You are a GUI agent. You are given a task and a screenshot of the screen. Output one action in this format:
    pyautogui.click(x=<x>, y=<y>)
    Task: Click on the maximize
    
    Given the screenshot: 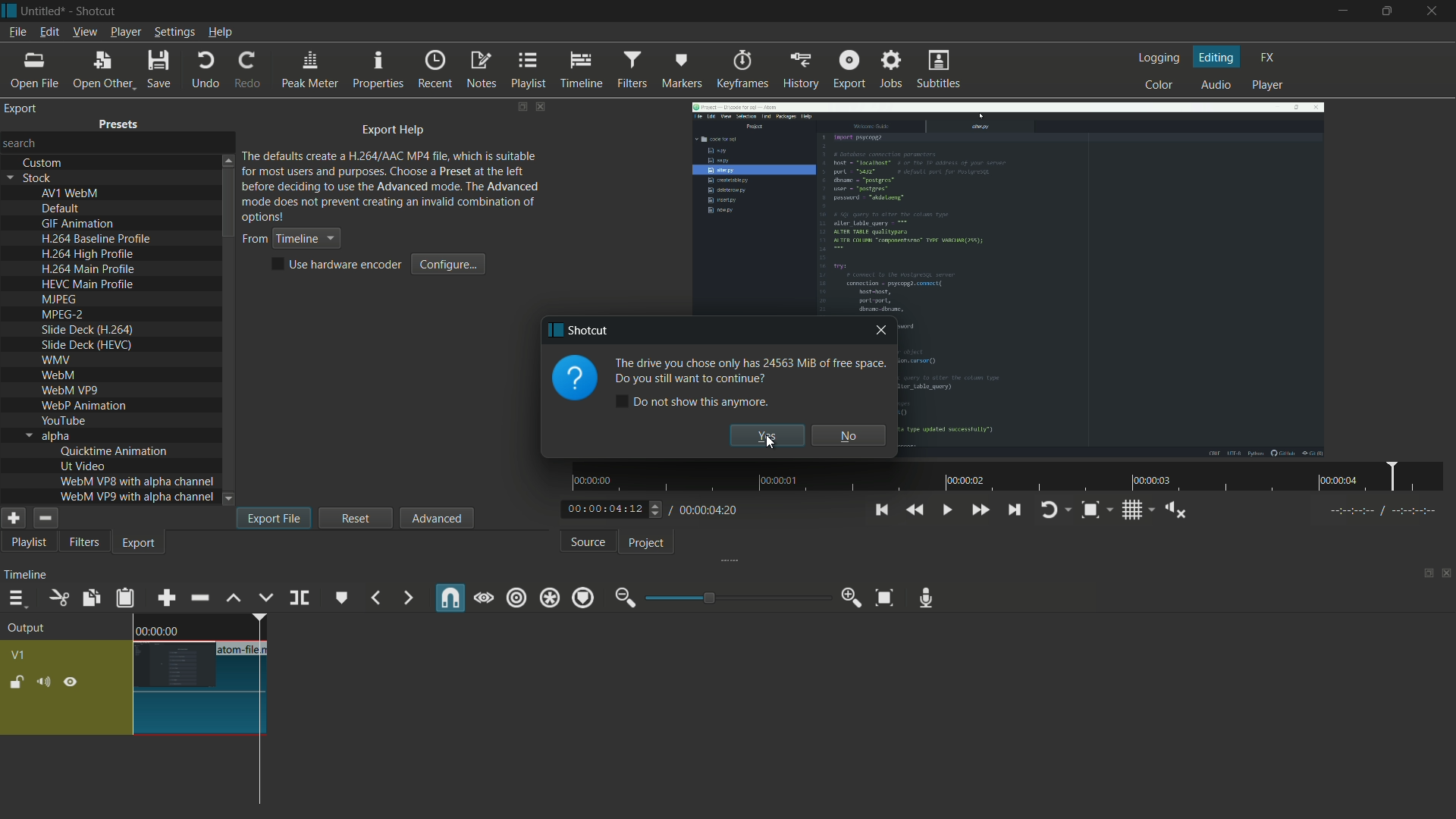 What is the action you would take?
    pyautogui.click(x=1389, y=11)
    